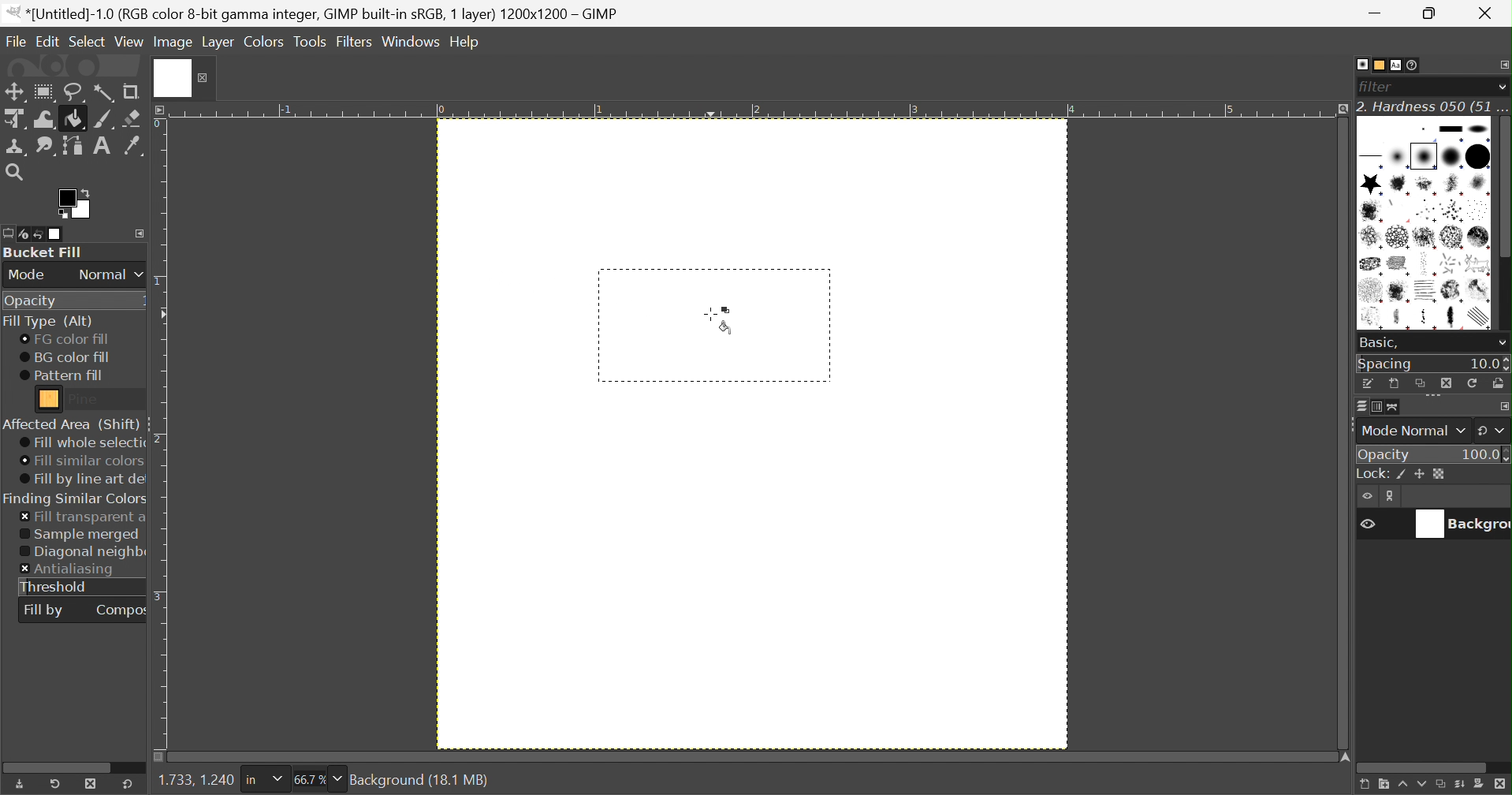  Describe the element at coordinates (1459, 786) in the screenshot. I see `` at that location.